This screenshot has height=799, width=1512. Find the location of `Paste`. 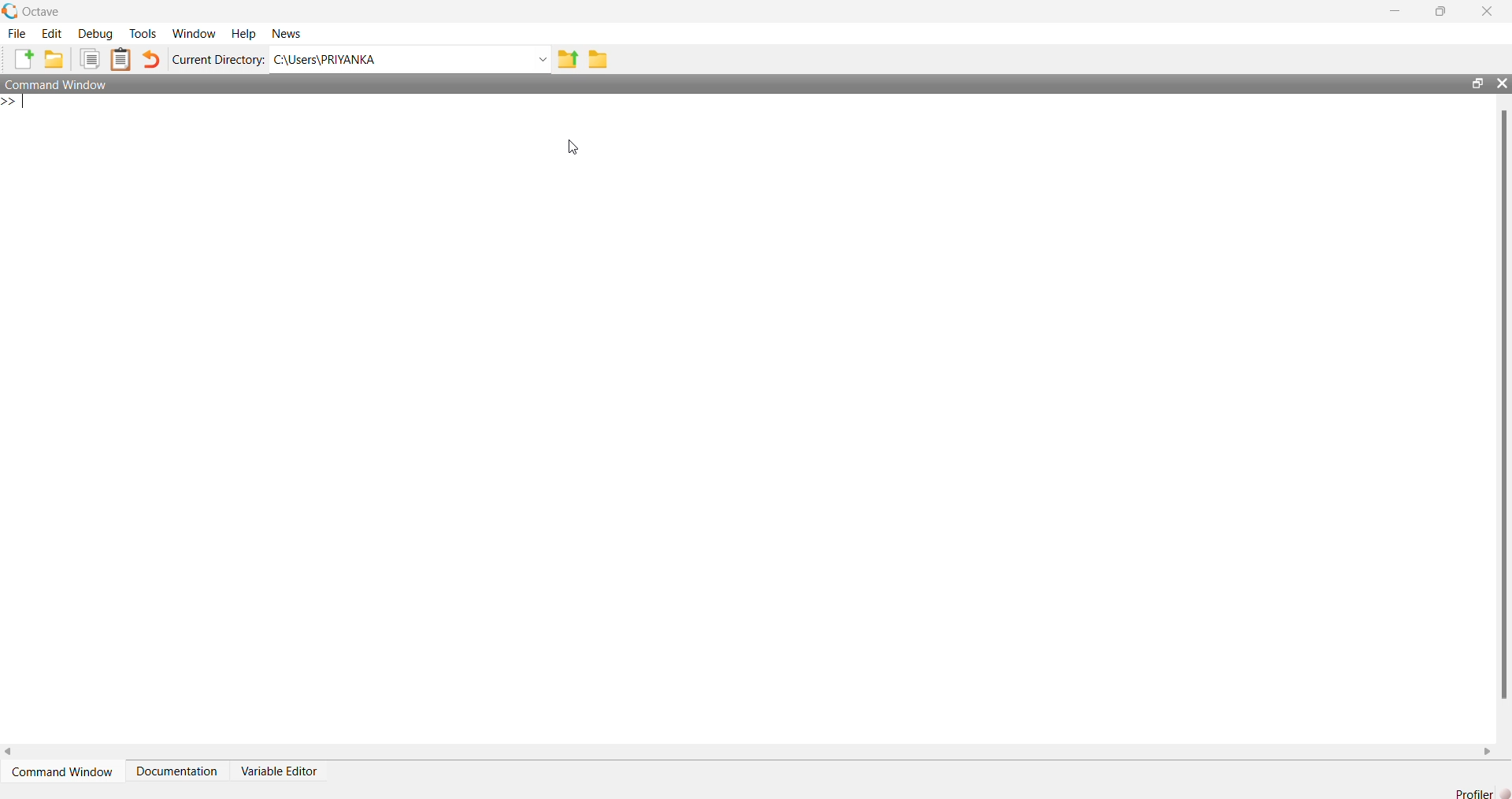

Paste is located at coordinates (120, 60).